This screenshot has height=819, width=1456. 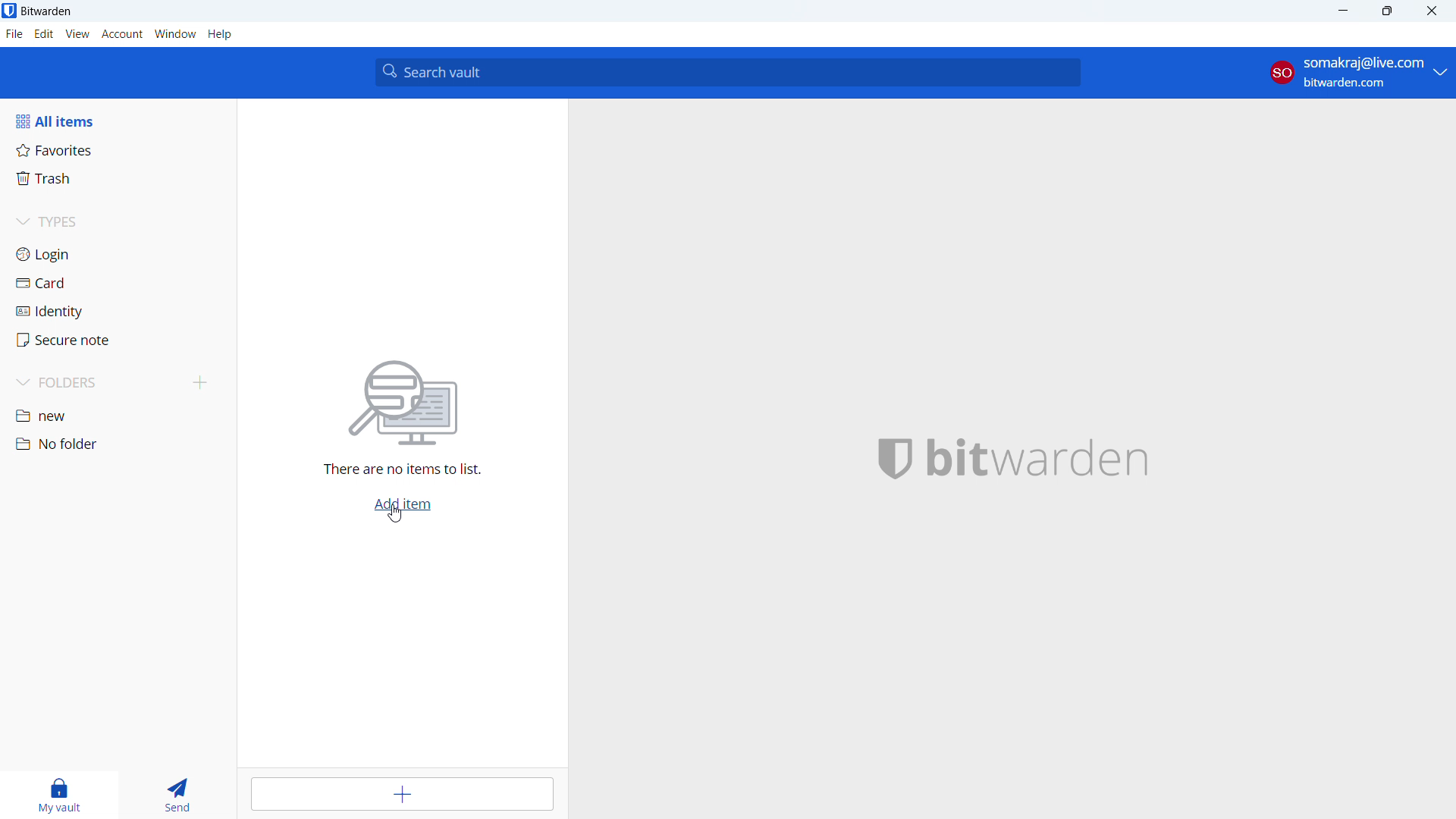 I want to click on there are no items to list , so click(x=397, y=471).